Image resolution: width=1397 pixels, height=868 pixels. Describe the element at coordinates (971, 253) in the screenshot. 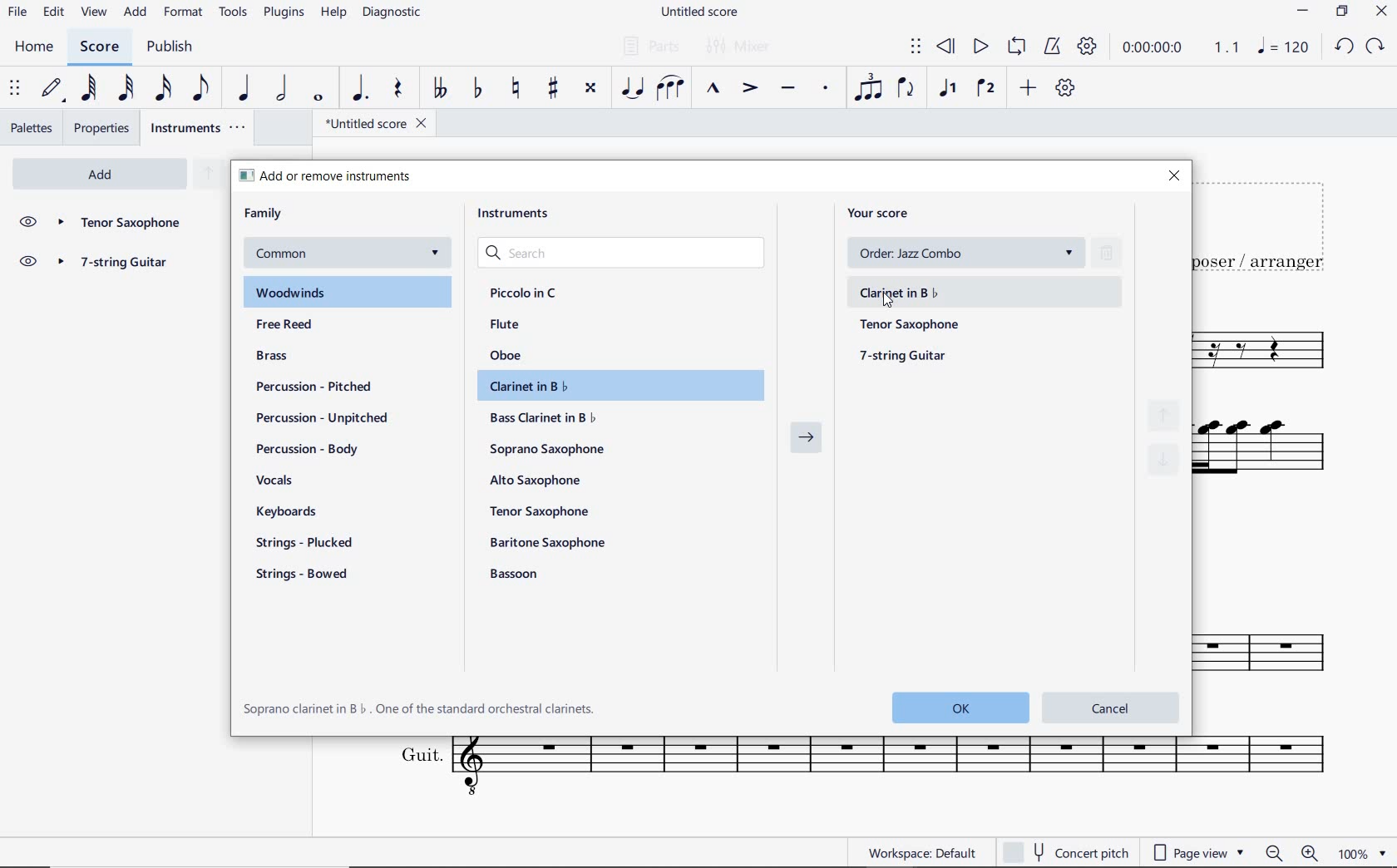

I see `order: Jazz Combo` at that location.